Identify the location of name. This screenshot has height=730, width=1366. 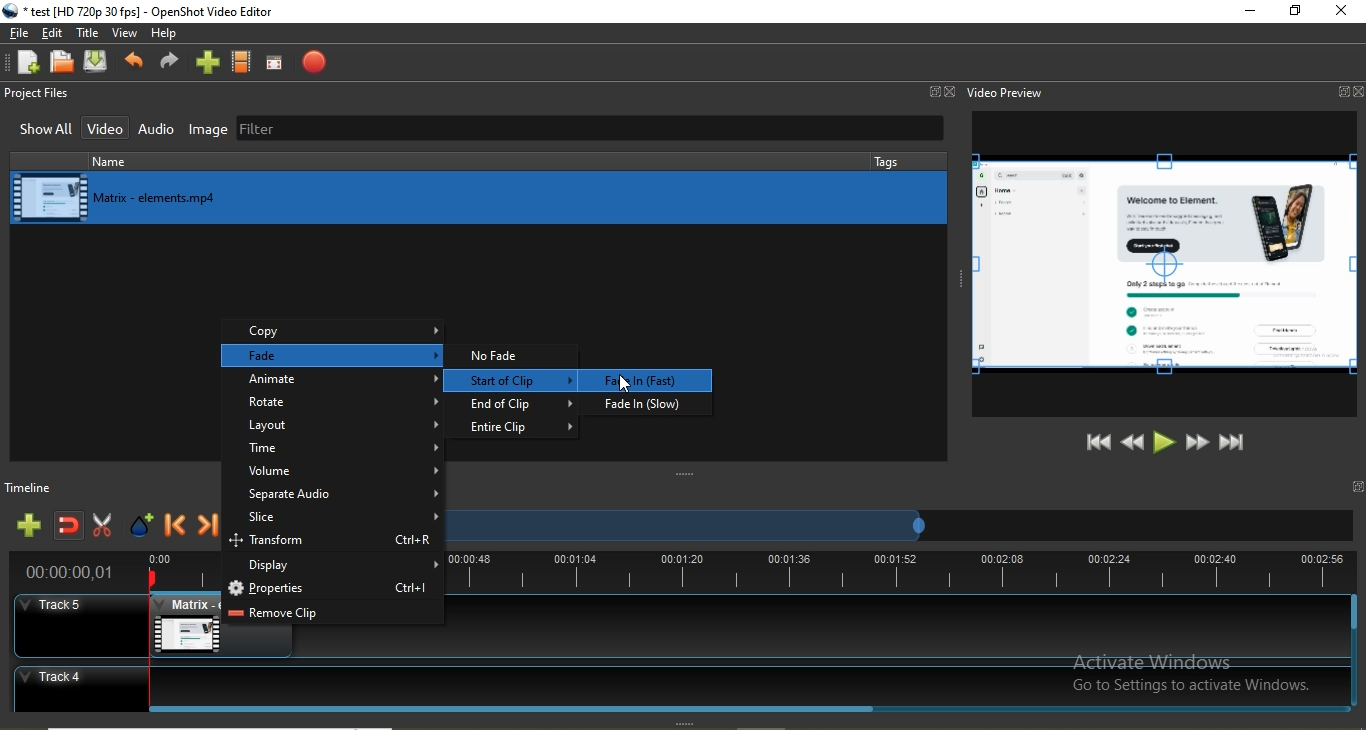
(160, 161).